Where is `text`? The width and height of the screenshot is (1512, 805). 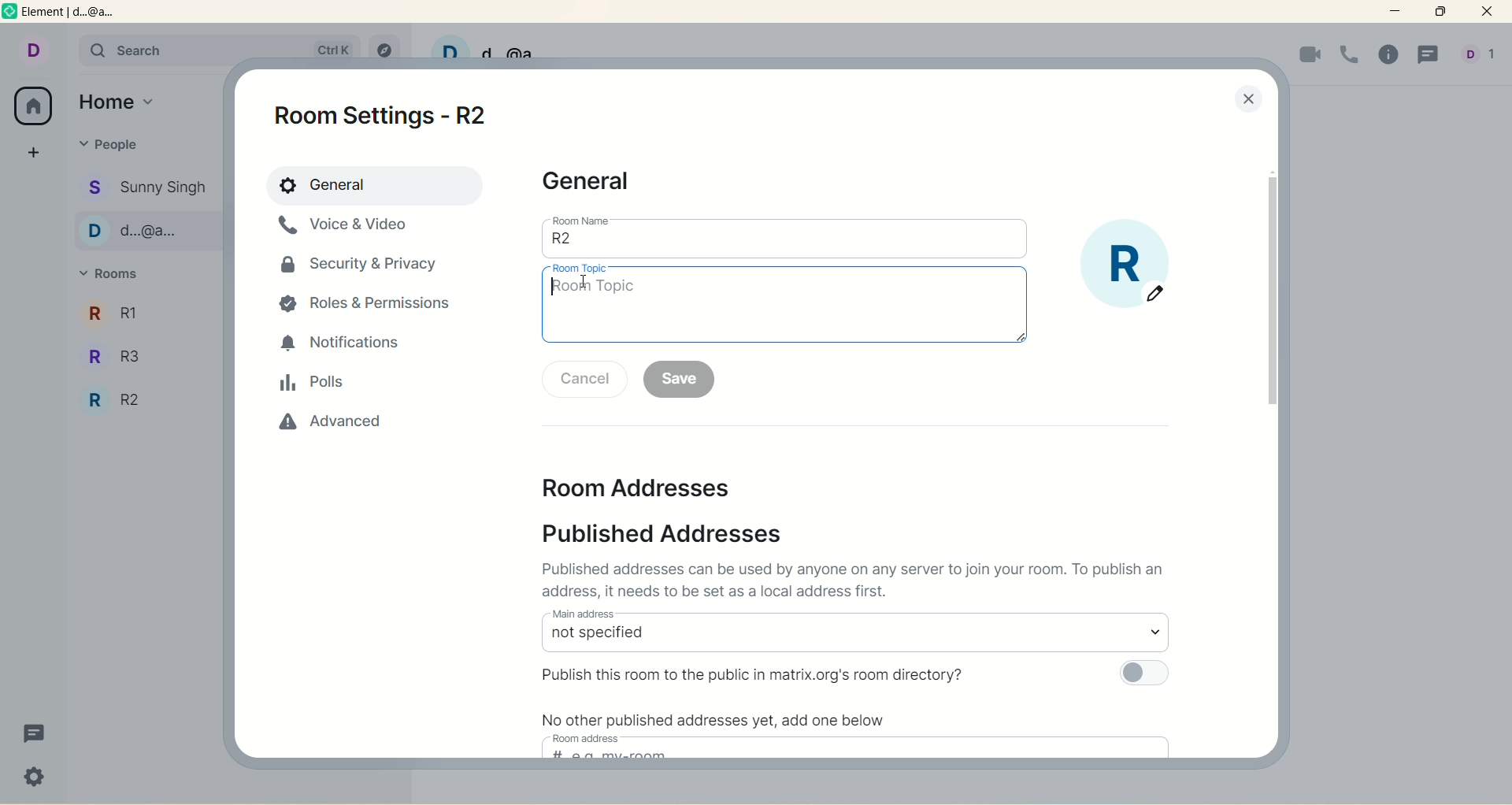 text is located at coordinates (721, 718).